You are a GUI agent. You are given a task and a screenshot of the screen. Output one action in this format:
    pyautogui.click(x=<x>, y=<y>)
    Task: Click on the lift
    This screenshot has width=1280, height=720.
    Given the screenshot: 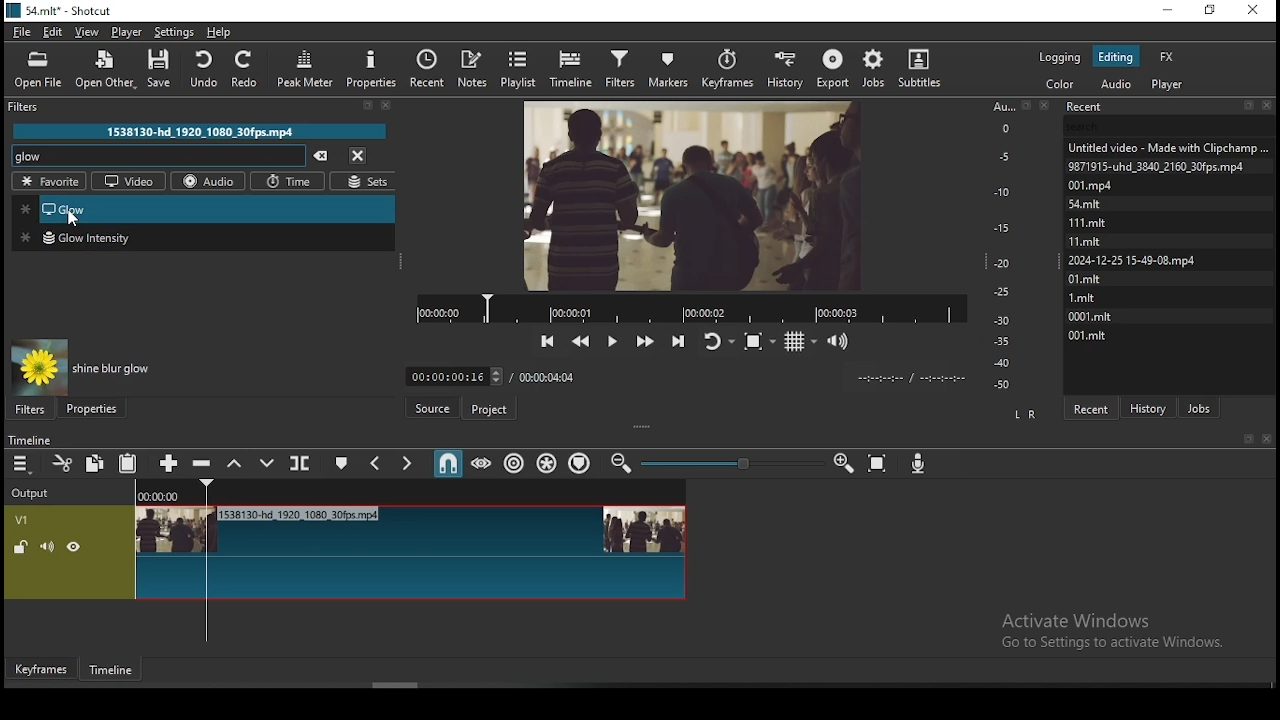 What is the action you would take?
    pyautogui.click(x=231, y=463)
    